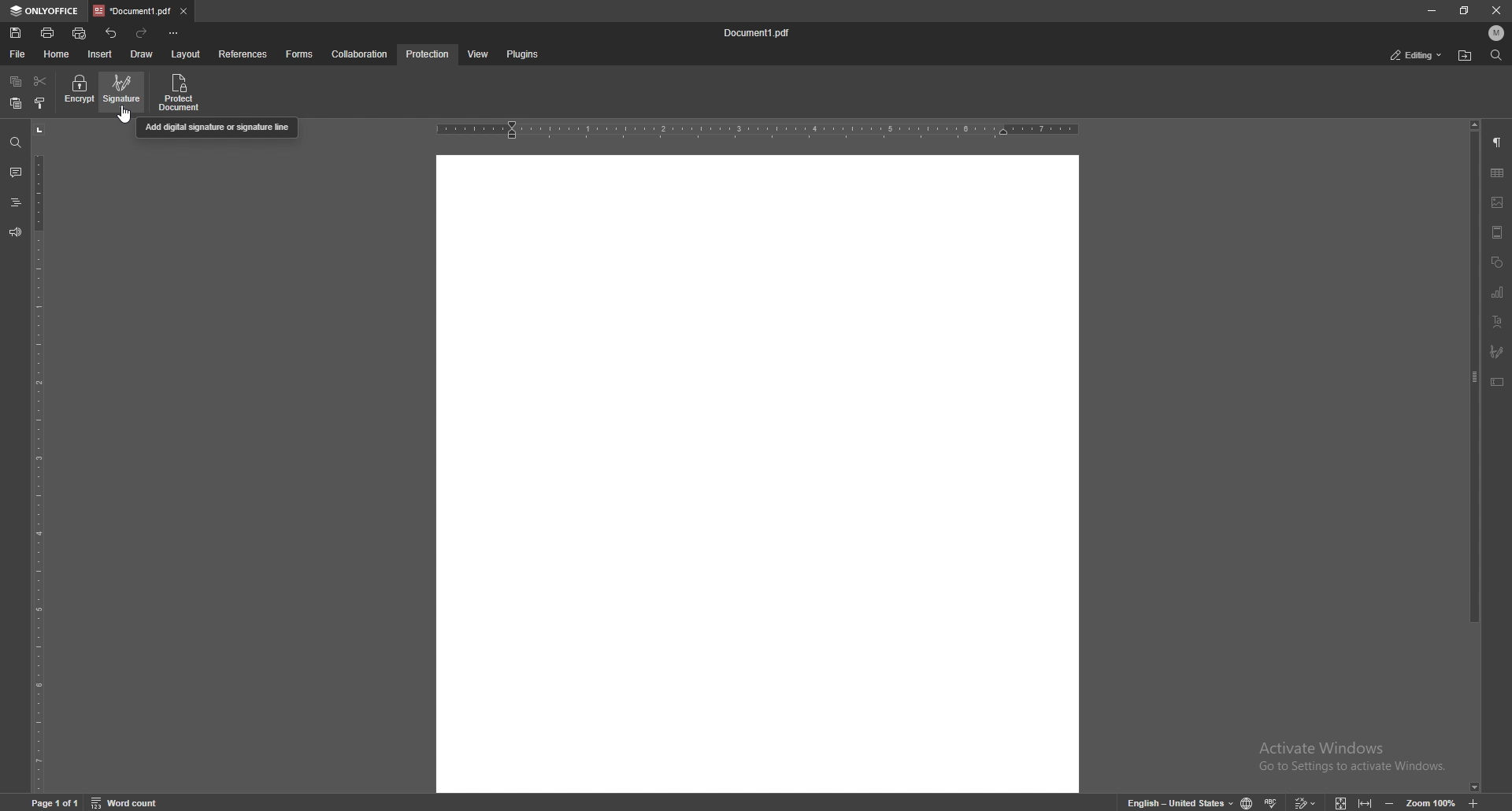  What do you see at coordinates (1487, 803) in the screenshot?
I see `zoom in` at bounding box center [1487, 803].